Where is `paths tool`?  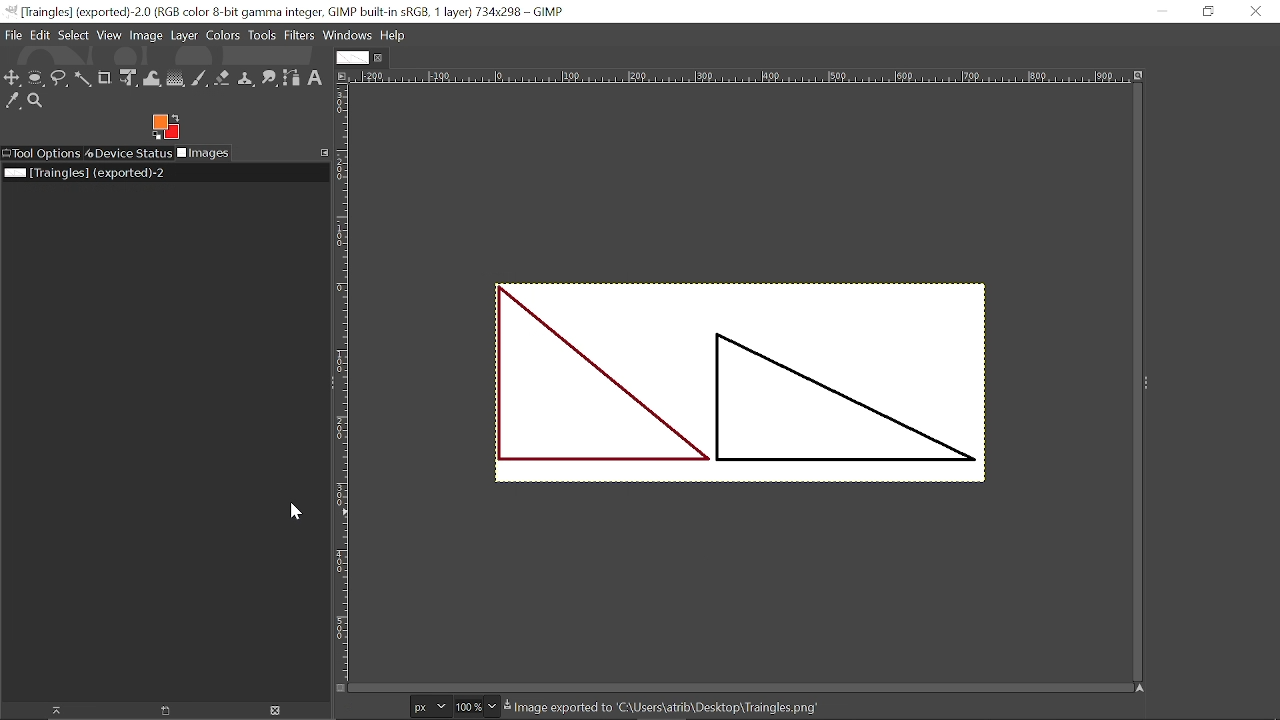 paths tool is located at coordinates (292, 79).